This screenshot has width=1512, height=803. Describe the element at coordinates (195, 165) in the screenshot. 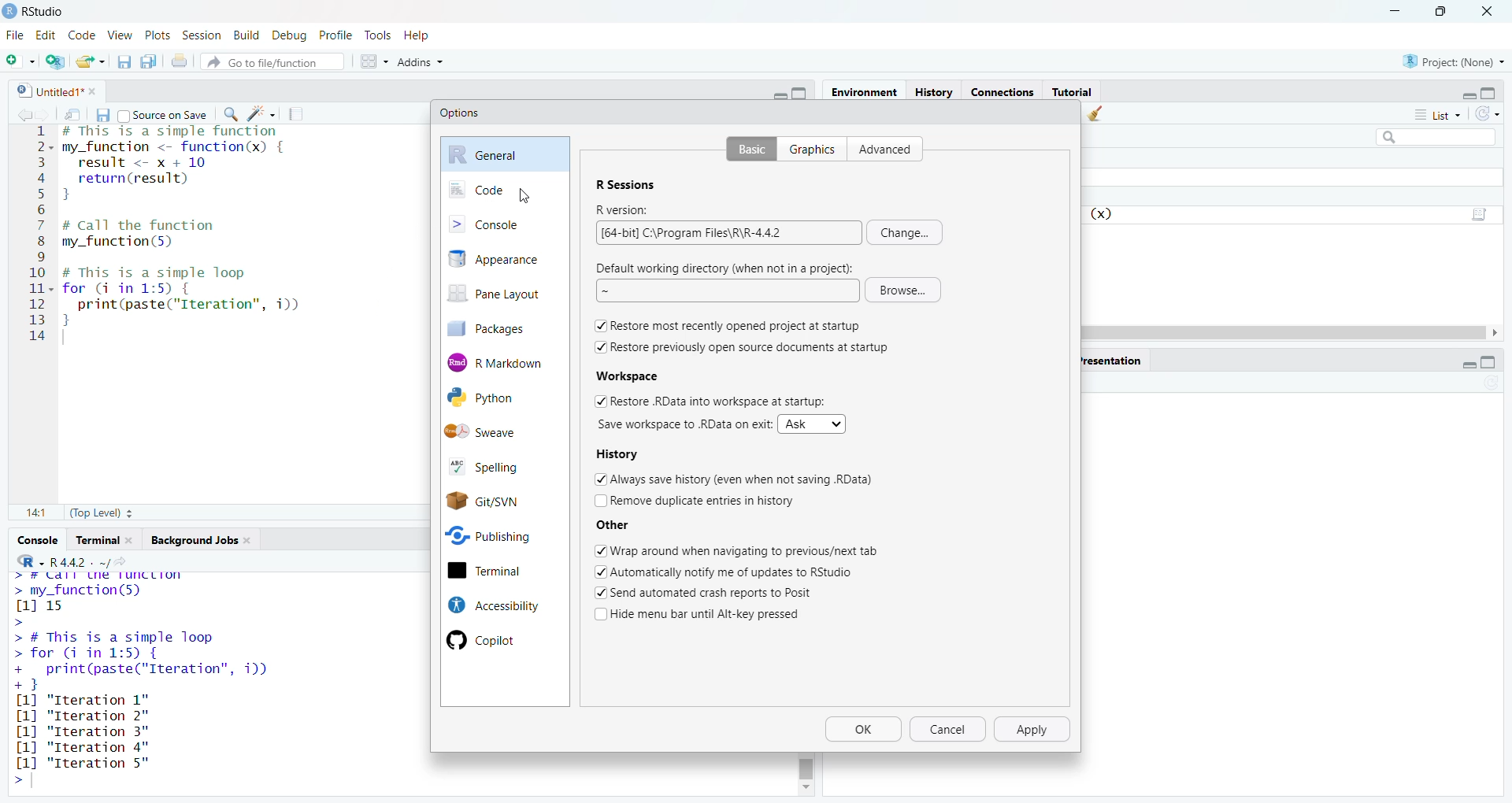

I see `code of a simple function` at that location.